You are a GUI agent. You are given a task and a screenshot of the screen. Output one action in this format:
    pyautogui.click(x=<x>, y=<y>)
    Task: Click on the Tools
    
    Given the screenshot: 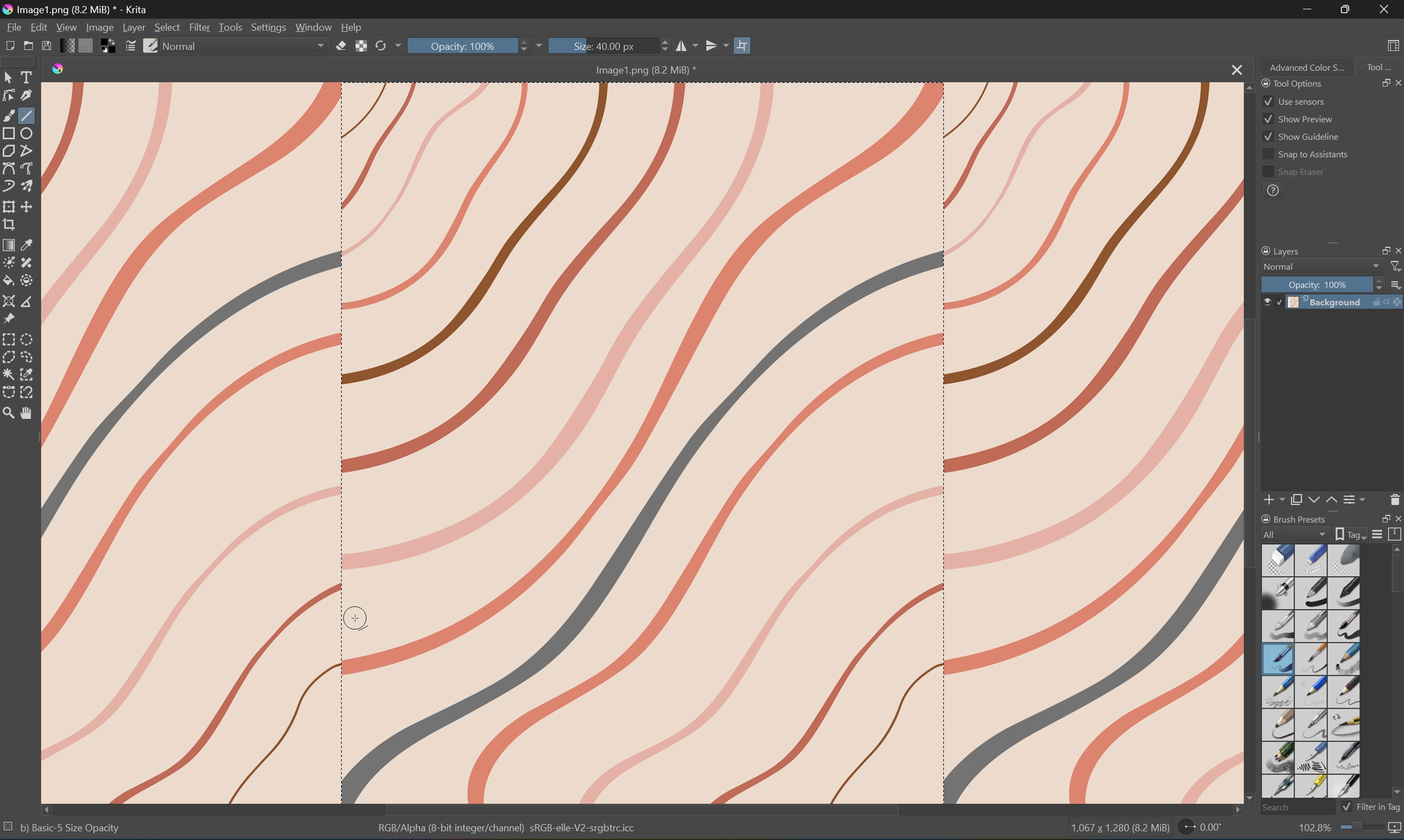 What is the action you would take?
    pyautogui.click(x=232, y=27)
    